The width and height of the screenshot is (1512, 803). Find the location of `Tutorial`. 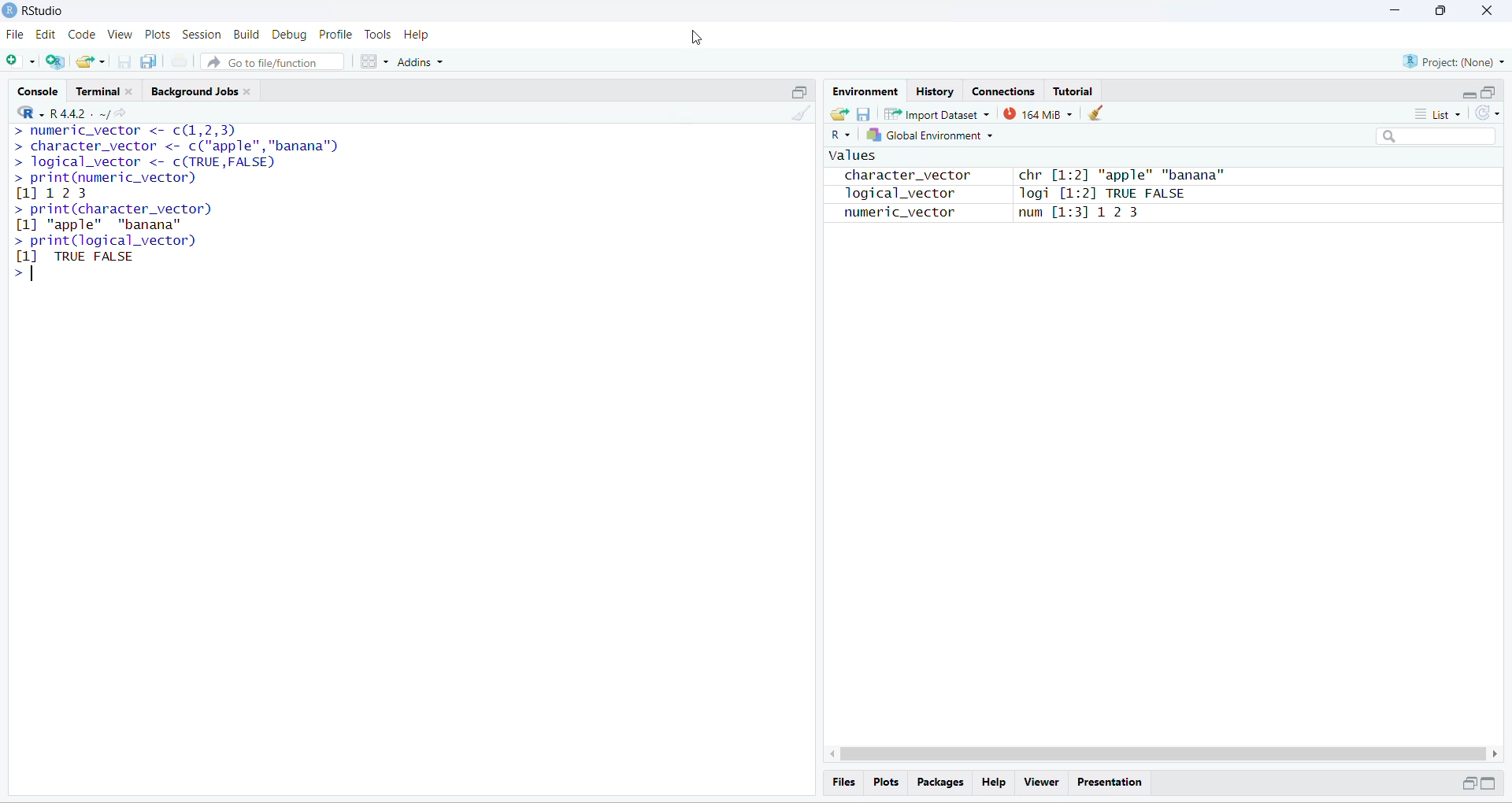

Tutorial is located at coordinates (1073, 91).